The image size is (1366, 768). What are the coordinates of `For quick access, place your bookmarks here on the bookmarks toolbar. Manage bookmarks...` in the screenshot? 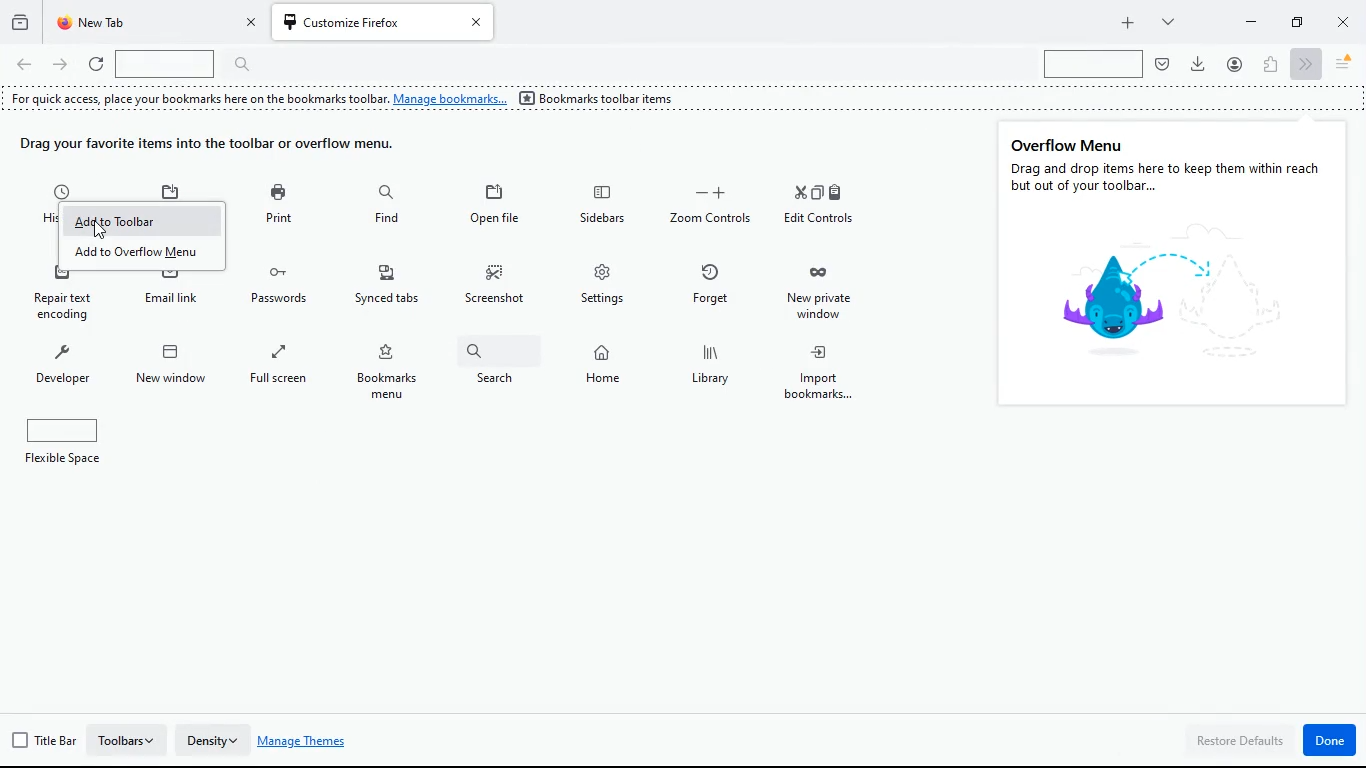 It's located at (256, 99).